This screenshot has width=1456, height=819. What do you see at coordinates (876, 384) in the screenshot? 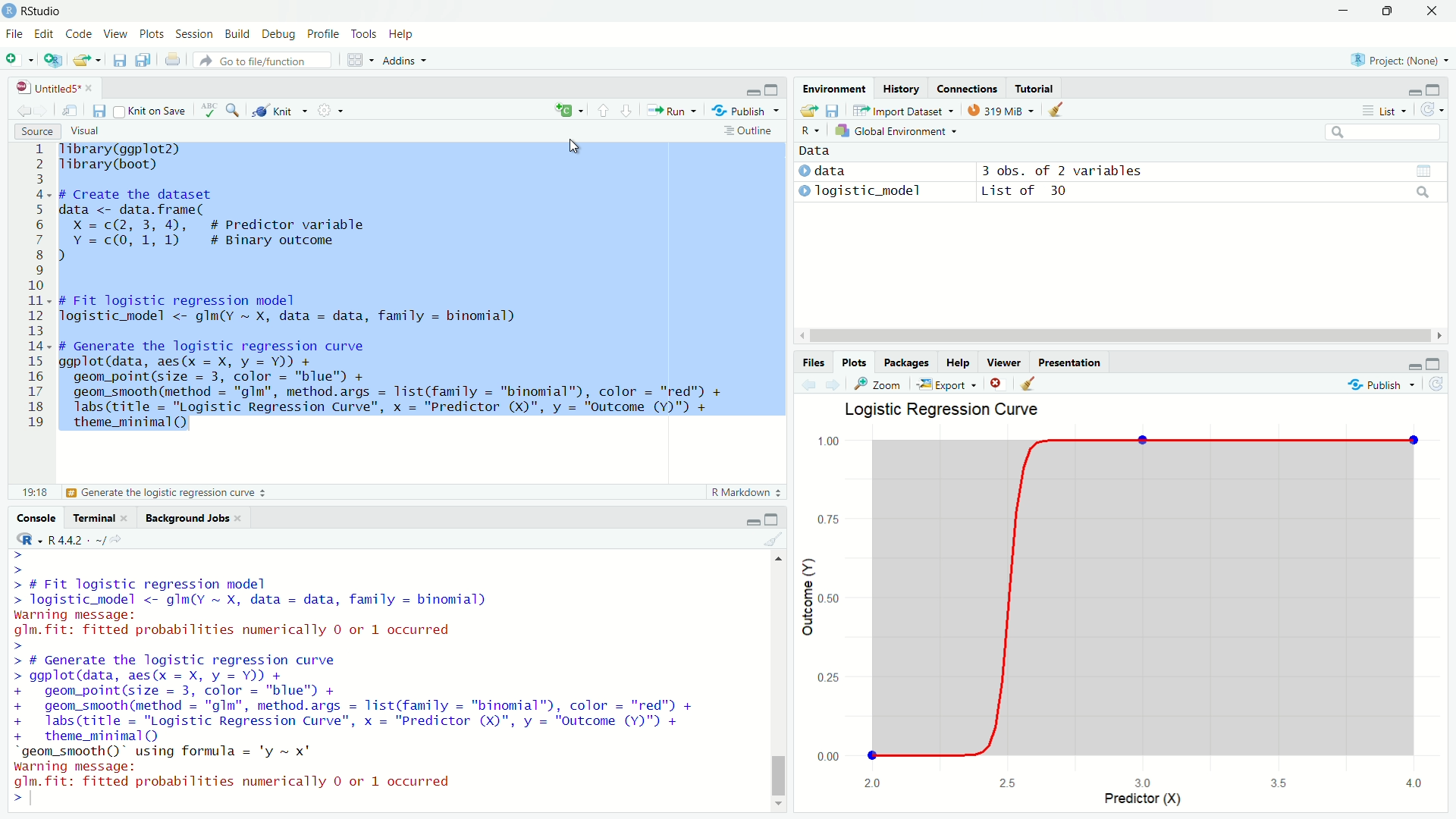
I see `Zoom` at bounding box center [876, 384].